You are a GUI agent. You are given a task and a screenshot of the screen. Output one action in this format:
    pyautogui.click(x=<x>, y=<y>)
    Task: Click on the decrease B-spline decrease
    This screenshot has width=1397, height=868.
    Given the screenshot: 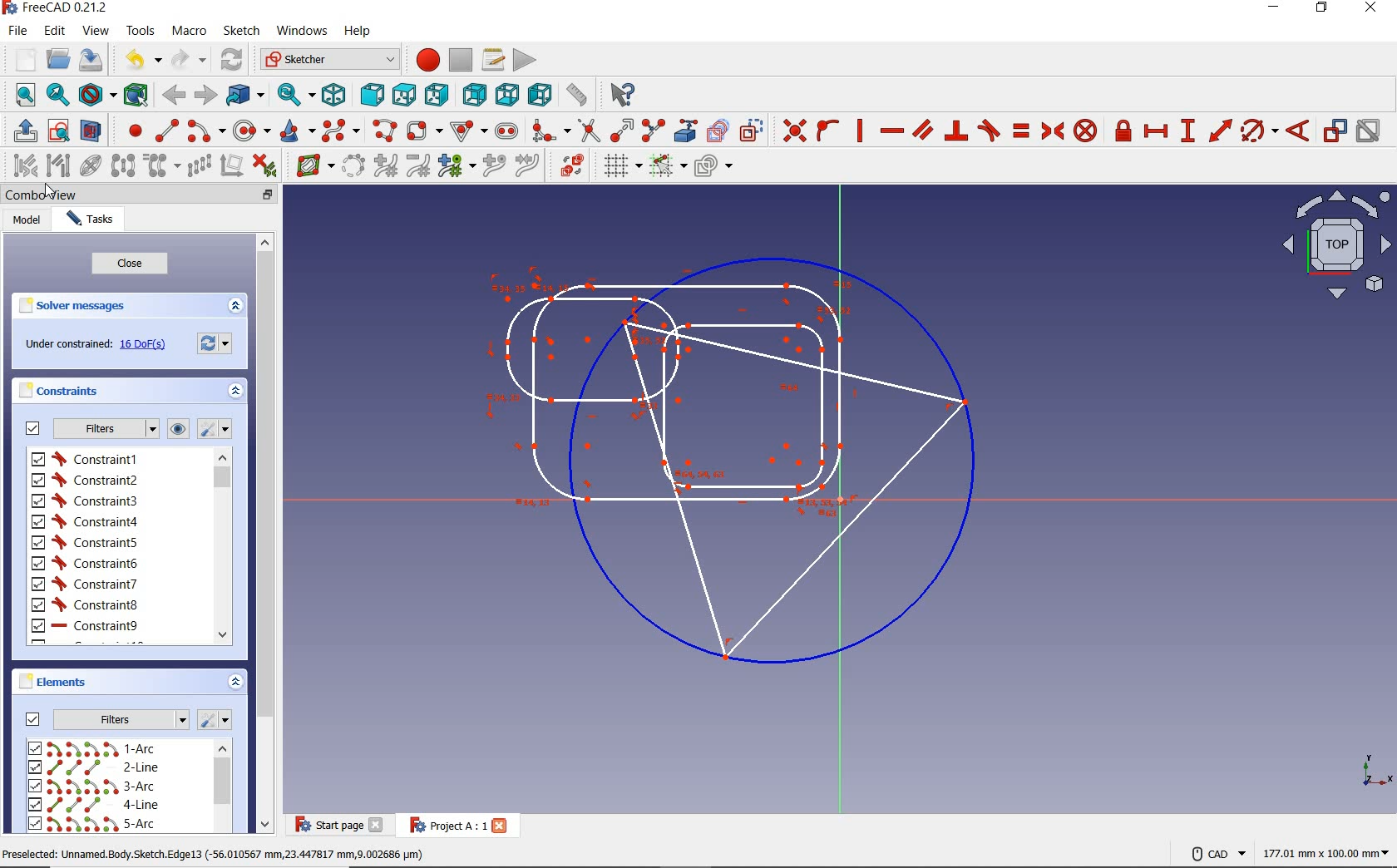 What is the action you would take?
    pyautogui.click(x=419, y=167)
    